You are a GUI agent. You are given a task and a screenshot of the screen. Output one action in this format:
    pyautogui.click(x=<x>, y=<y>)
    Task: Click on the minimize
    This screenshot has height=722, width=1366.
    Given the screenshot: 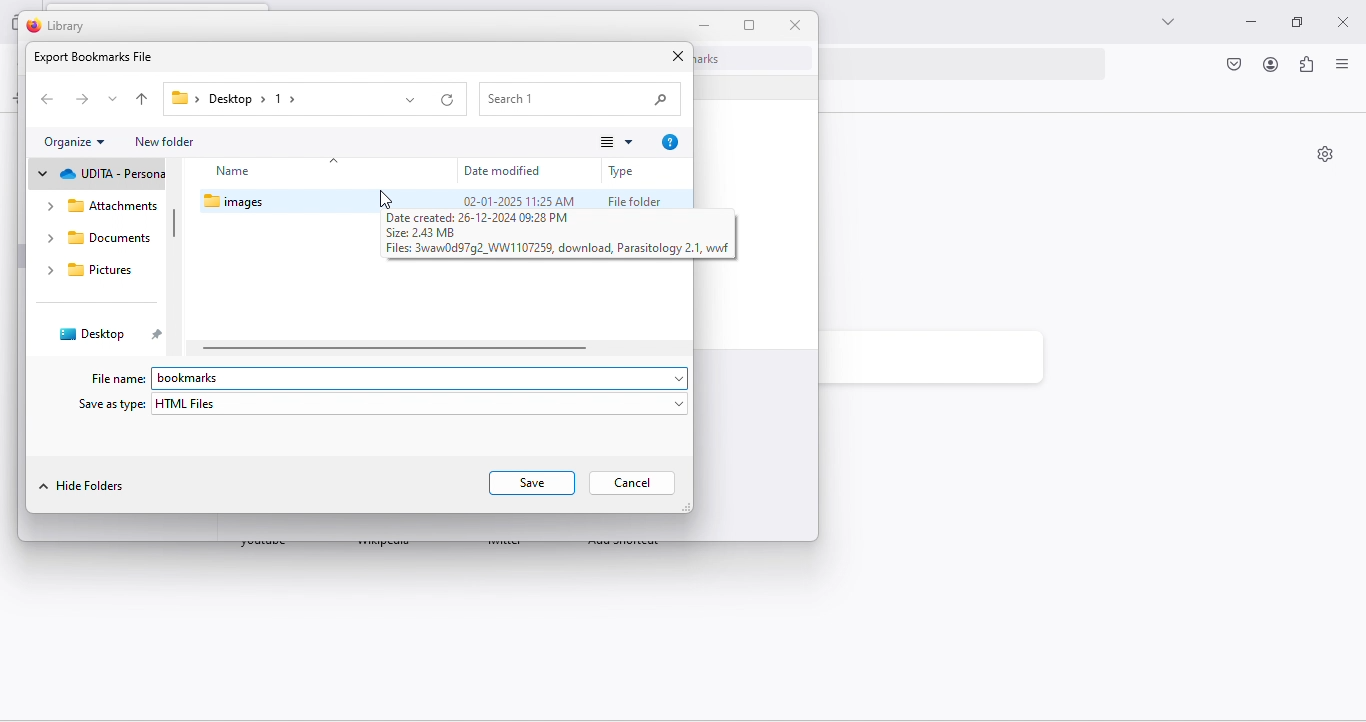 What is the action you would take?
    pyautogui.click(x=1246, y=24)
    